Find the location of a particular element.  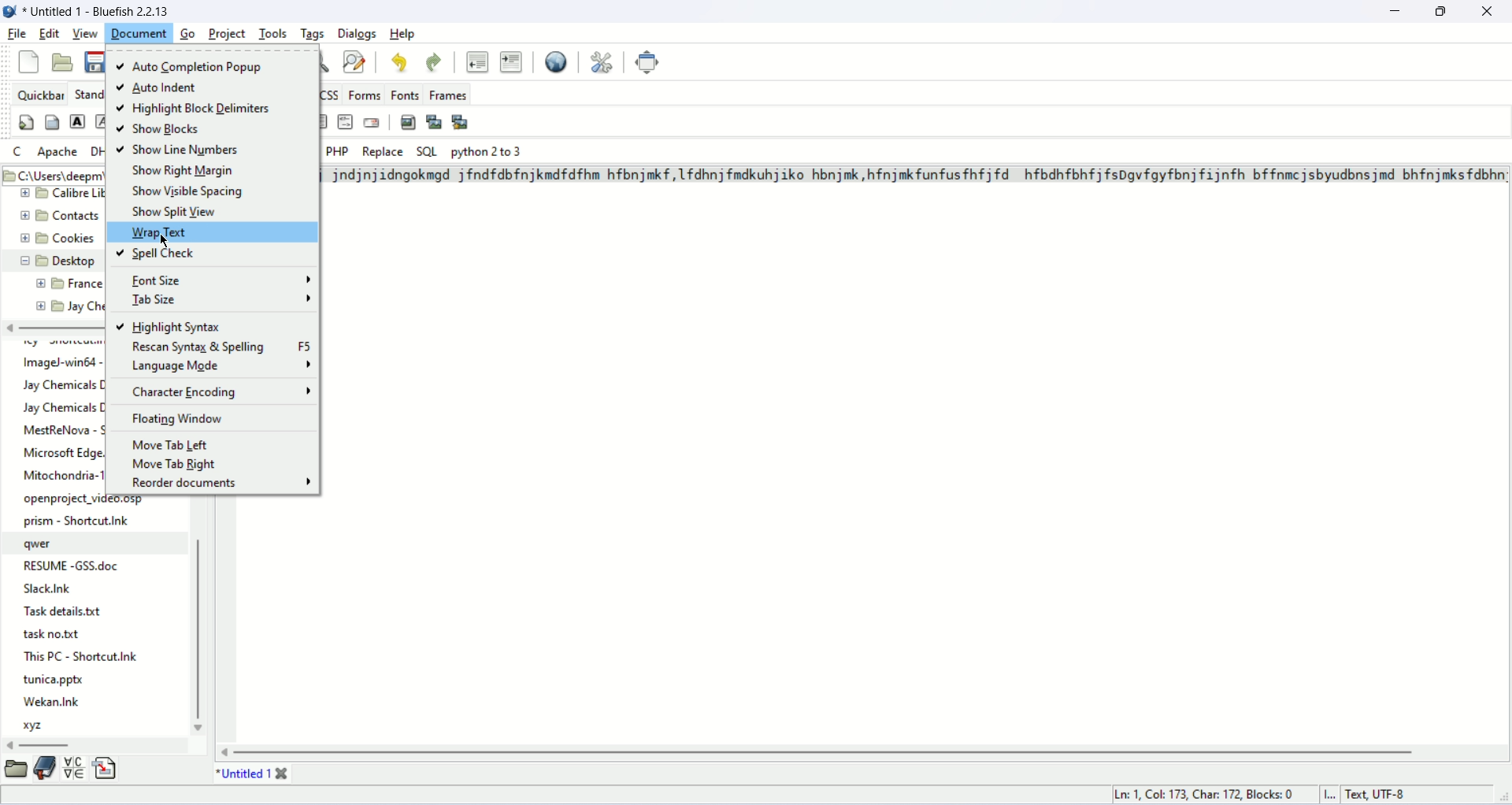

Ln: 1, Cok 173, Char: 172, Blocks: 0 is located at coordinates (1207, 792).